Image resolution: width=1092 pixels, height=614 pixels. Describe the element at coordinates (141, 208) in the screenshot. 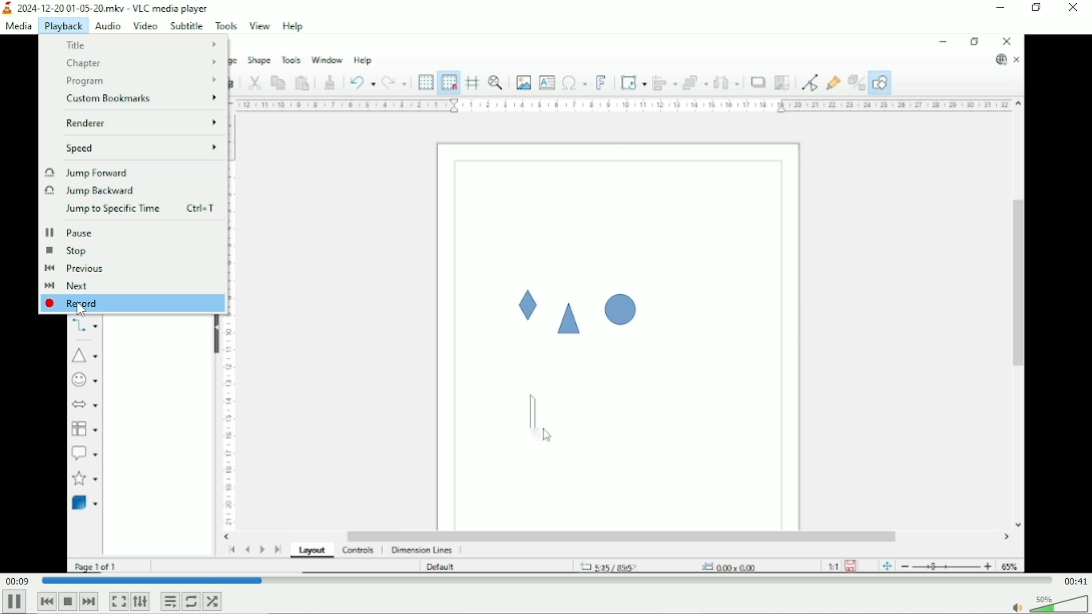

I see `Jump to specific time` at that location.